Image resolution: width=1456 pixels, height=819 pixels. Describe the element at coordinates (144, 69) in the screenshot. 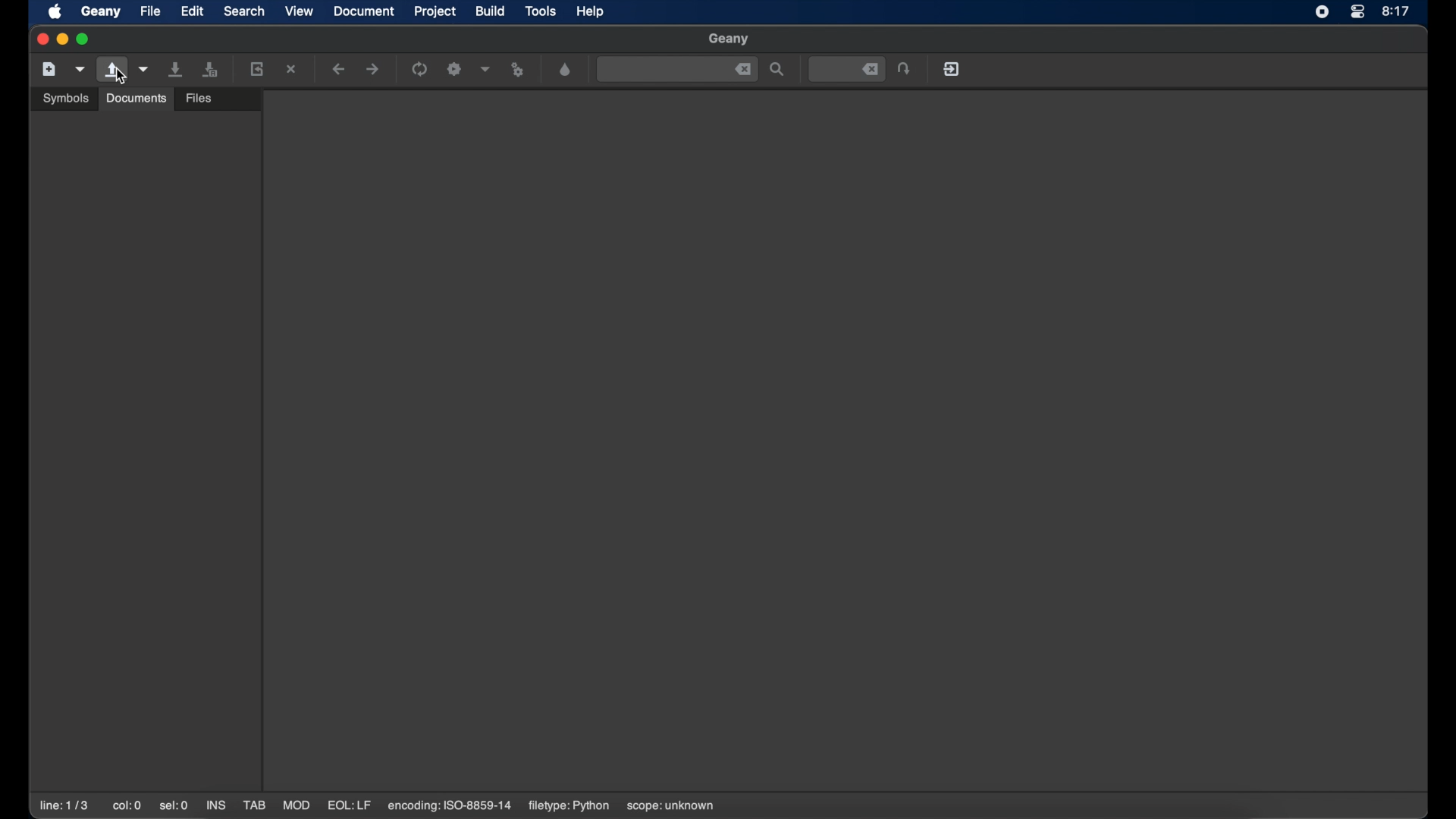

I see `open a recent file` at that location.